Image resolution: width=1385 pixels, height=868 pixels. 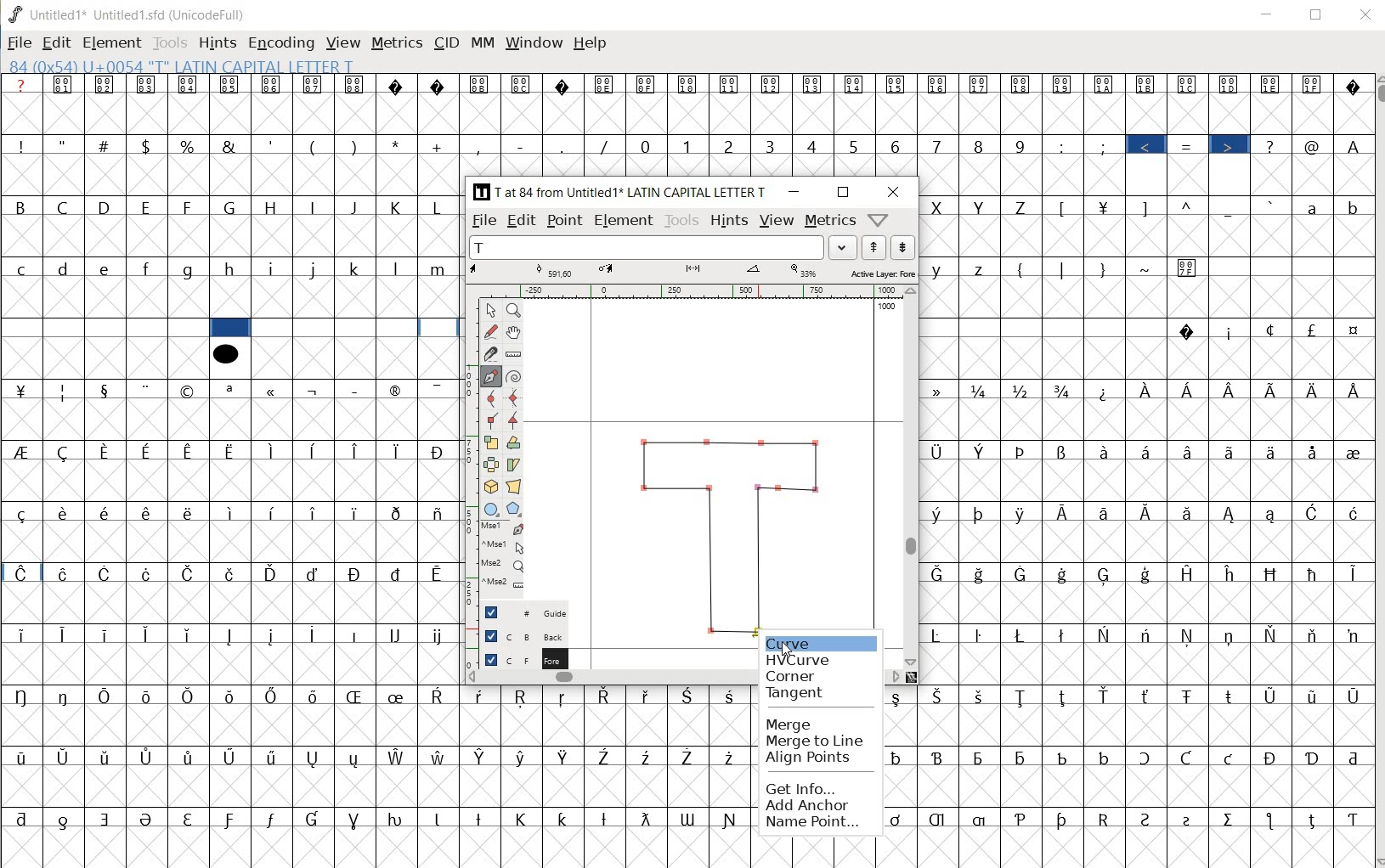 What do you see at coordinates (1350, 758) in the screenshot?
I see `Symbol` at bounding box center [1350, 758].